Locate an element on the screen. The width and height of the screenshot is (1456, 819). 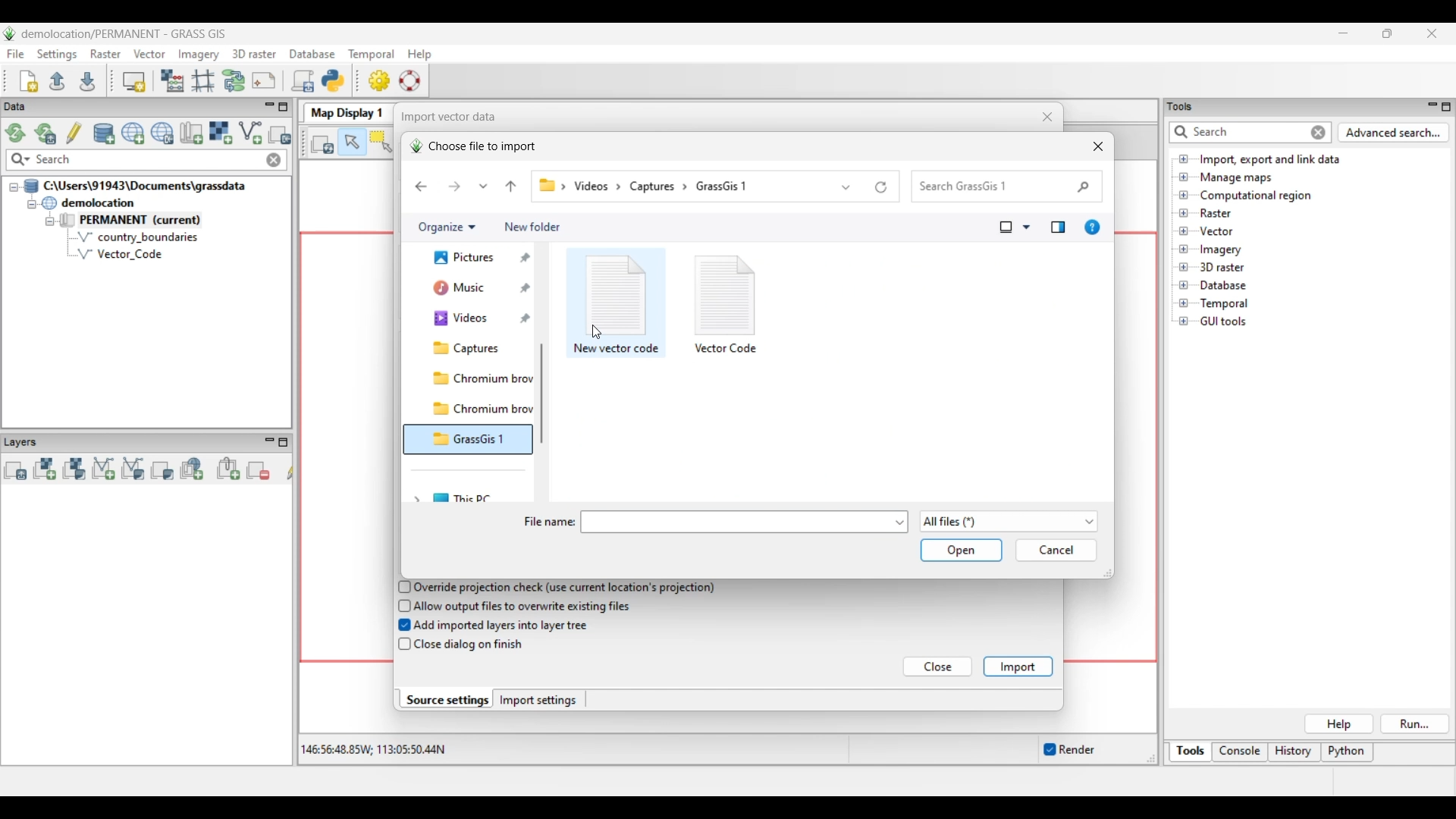
Add various overlays is located at coordinates (162, 470).